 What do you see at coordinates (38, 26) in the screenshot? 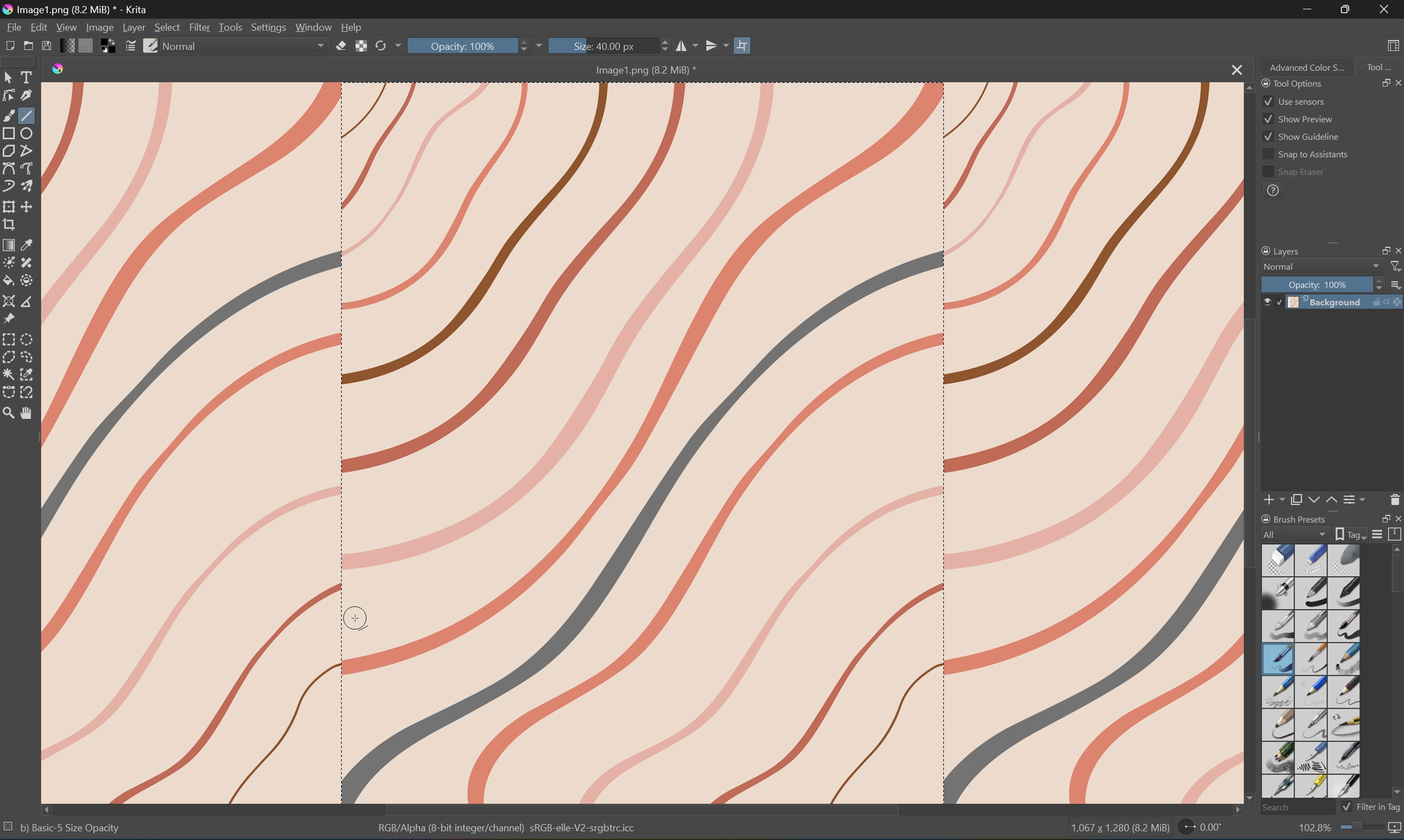
I see `Edit` at bounding box center [38, 26].